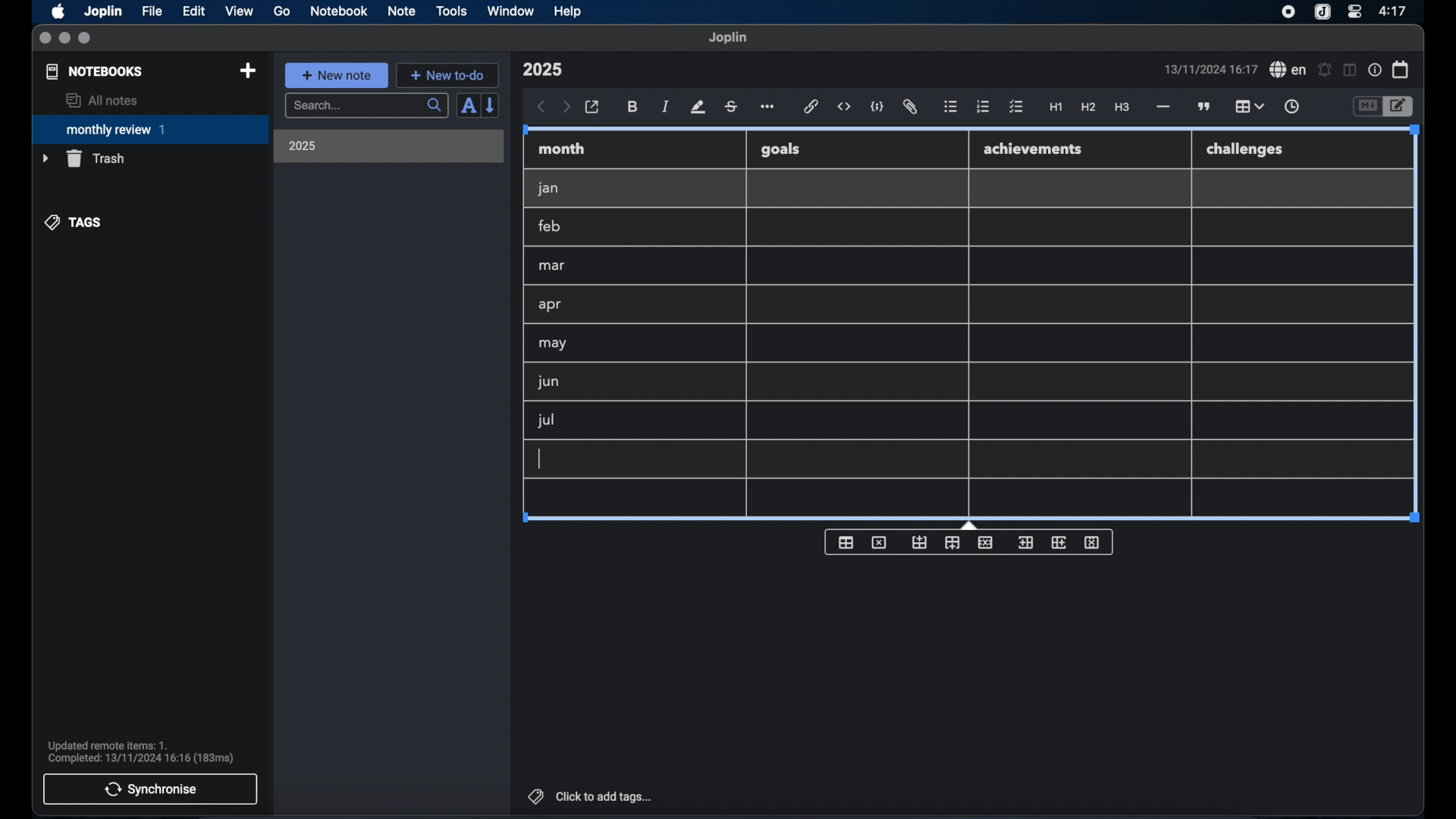 Image resolution: width=1456 pixels, height=819 pixels. What do you see at coordinates (1367, 107) in the screenshot?
I see `toggle editor` at bounding box center [1367, 107].